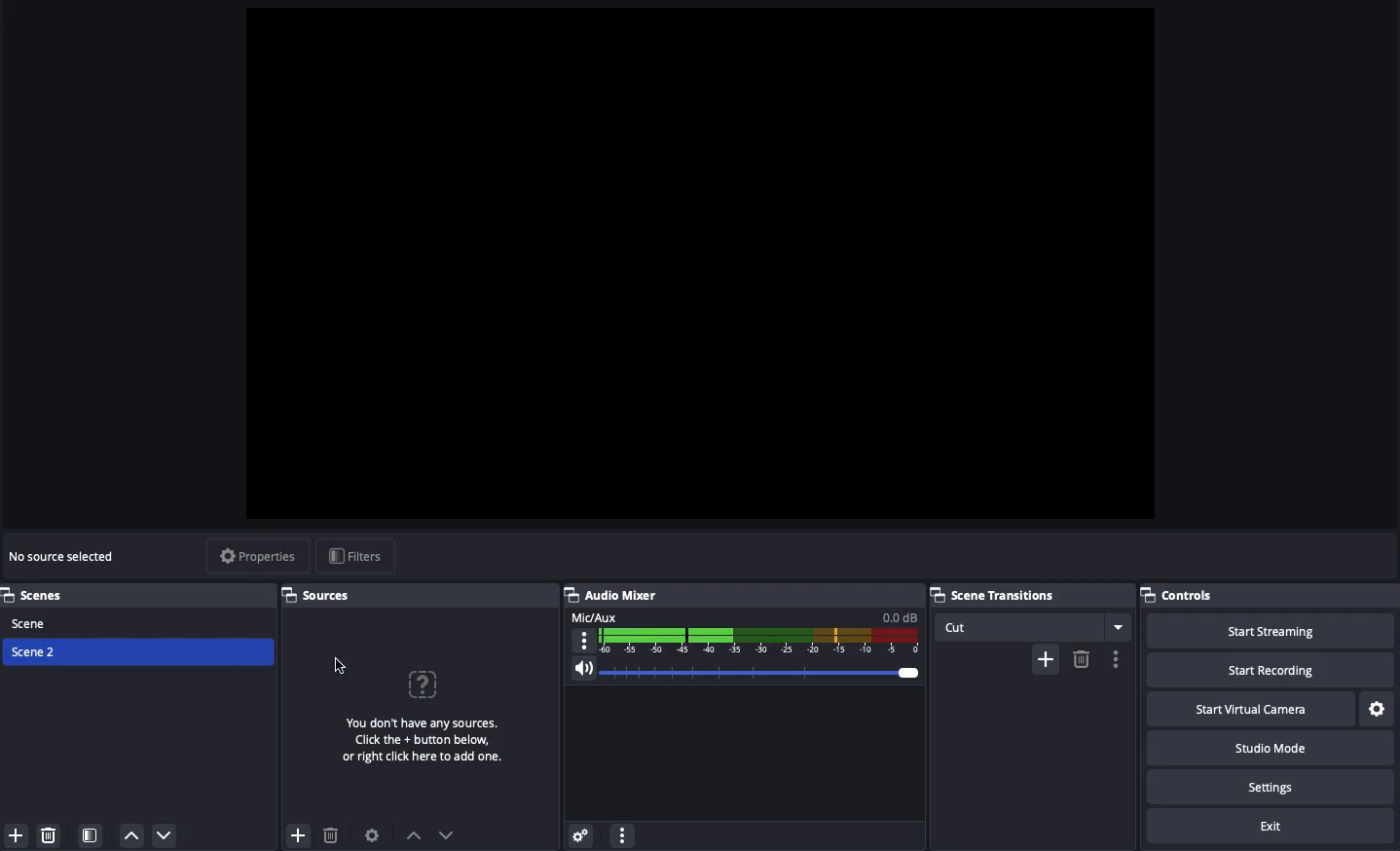 The height and width of the screenshot is (851, 1400). I want to click on previous, so click(414, 835).